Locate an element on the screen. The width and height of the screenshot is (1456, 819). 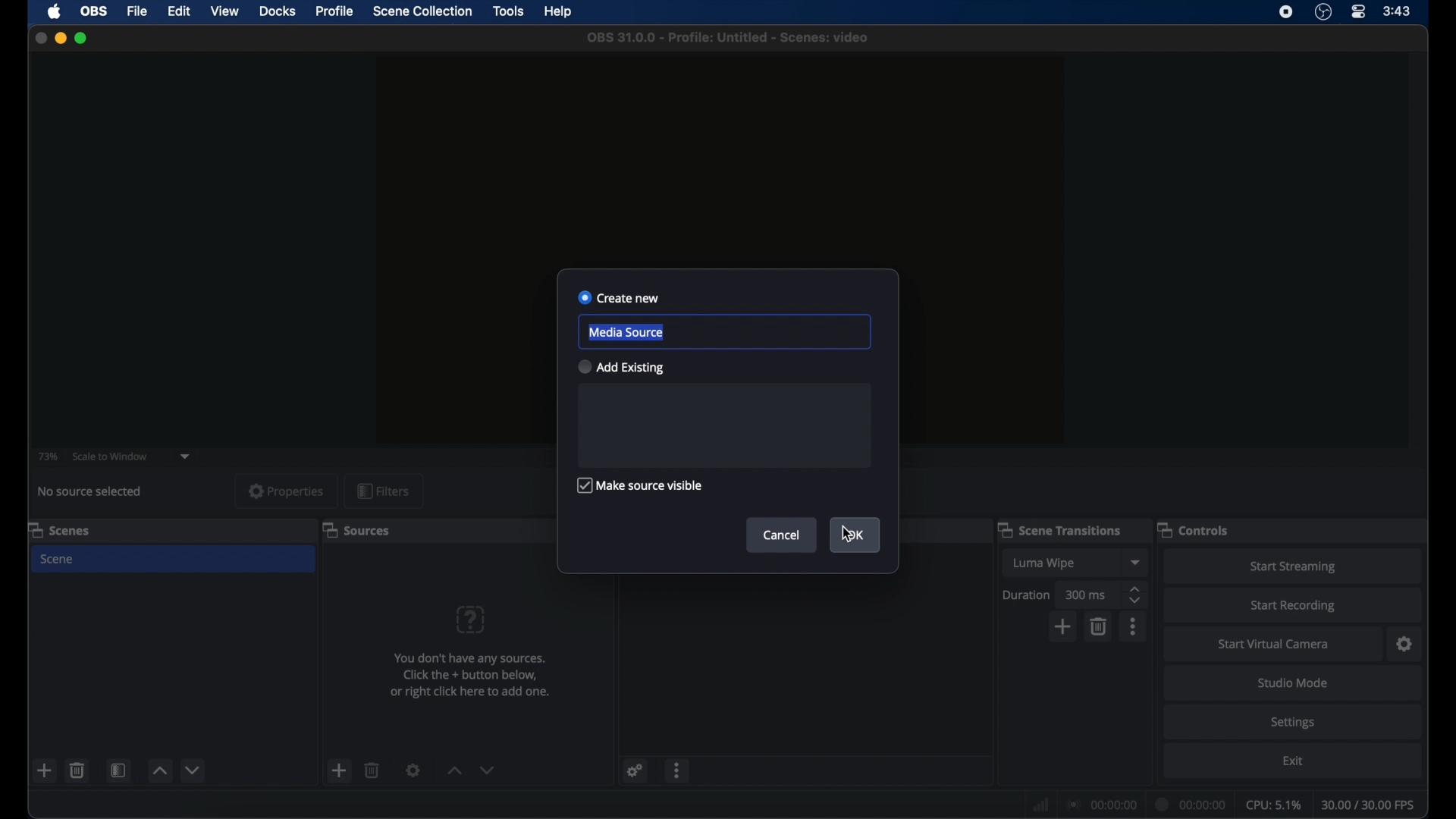
delete is located at coordinates (373, 770).